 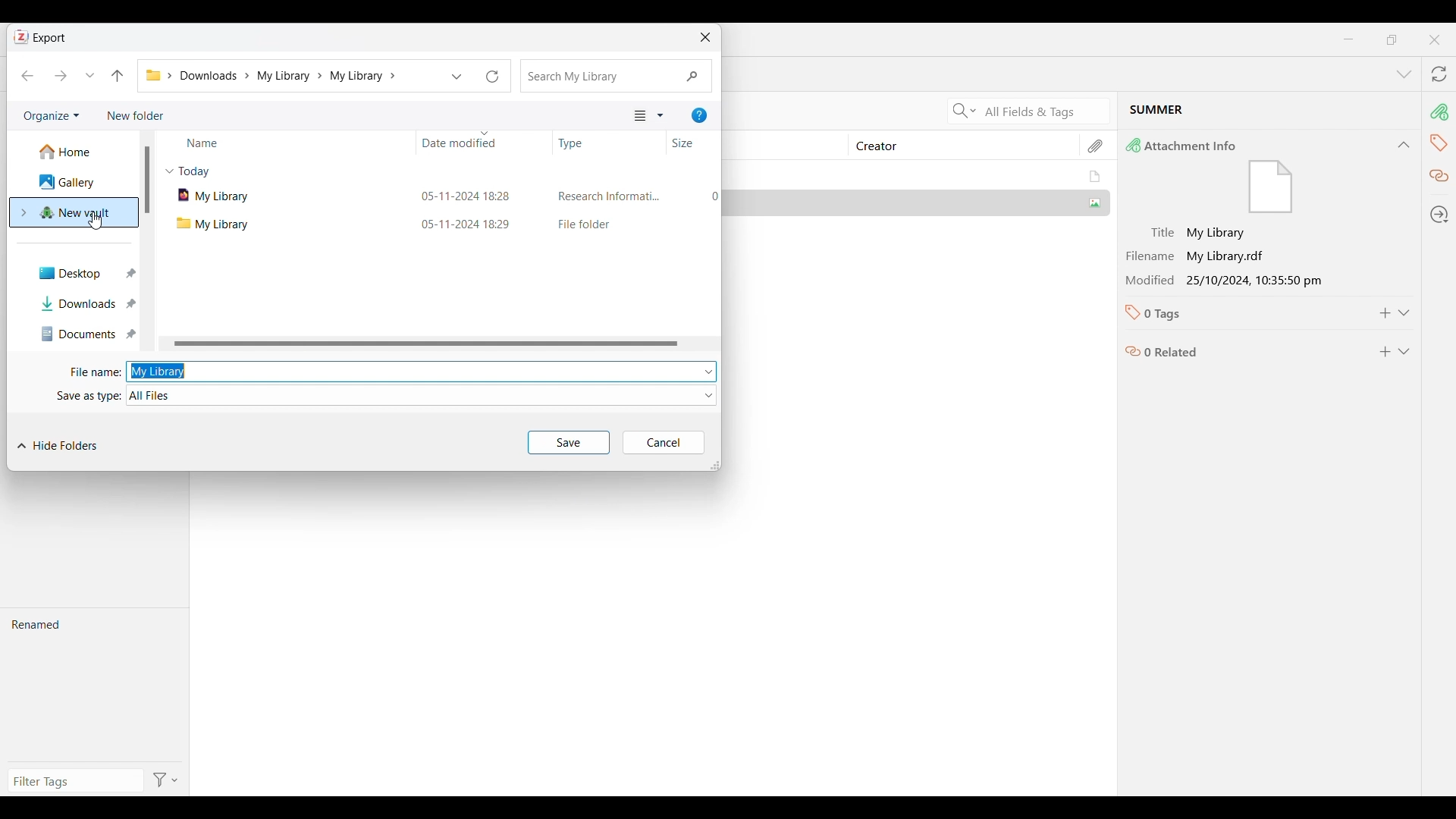 What do you see at coordinates (1404, 352) in the screenshot?
I see `Expand` at bounding box center [1404, 352].